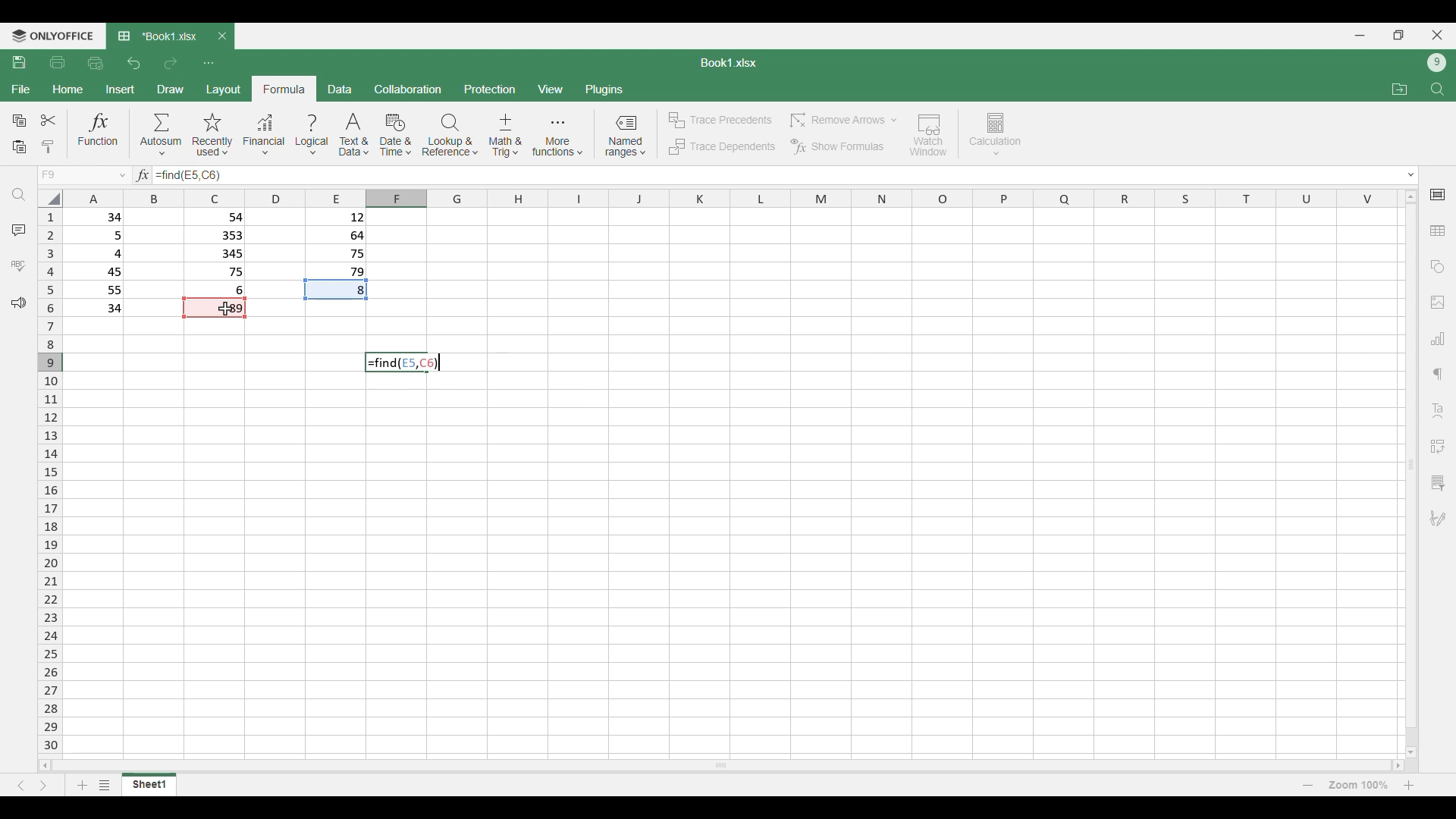 The height and width of the screenshot is (819, 1456). Describe the element at coordinates (58, 63) in the screenshot. I see `Print file` at that location.